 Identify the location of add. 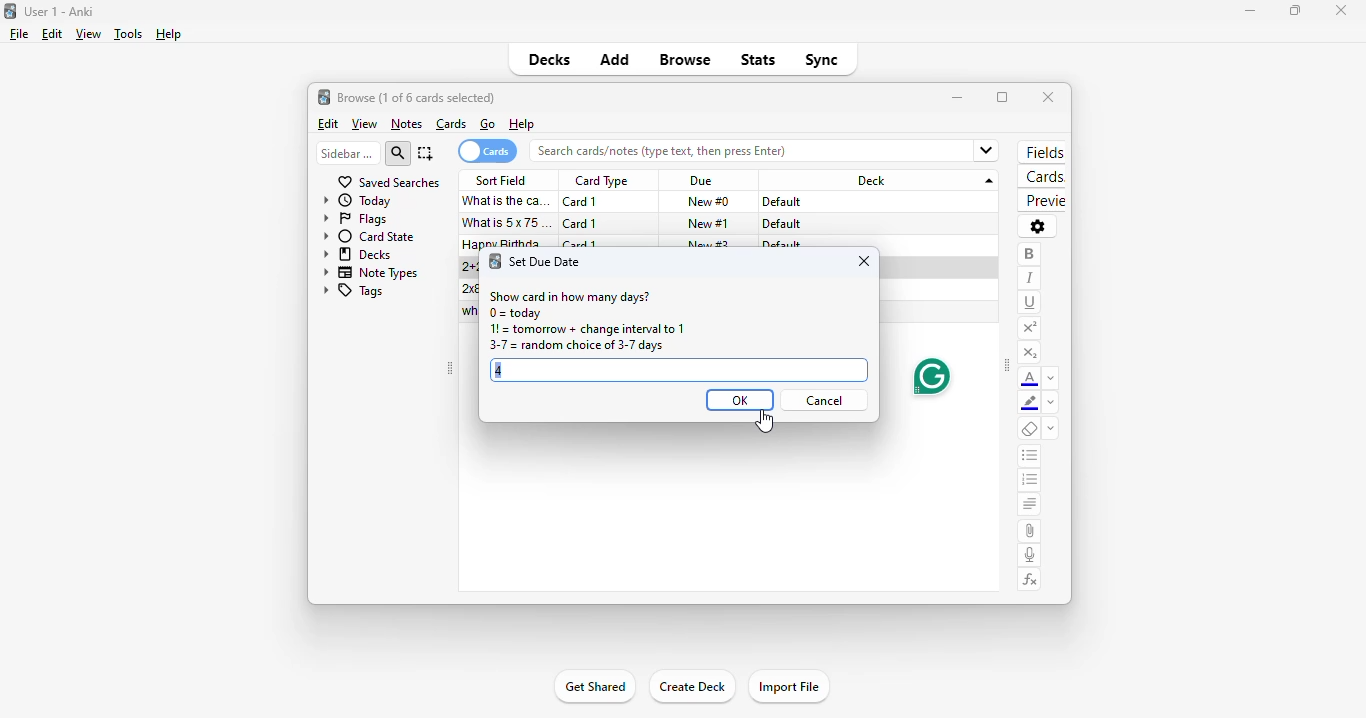
(614, 61).